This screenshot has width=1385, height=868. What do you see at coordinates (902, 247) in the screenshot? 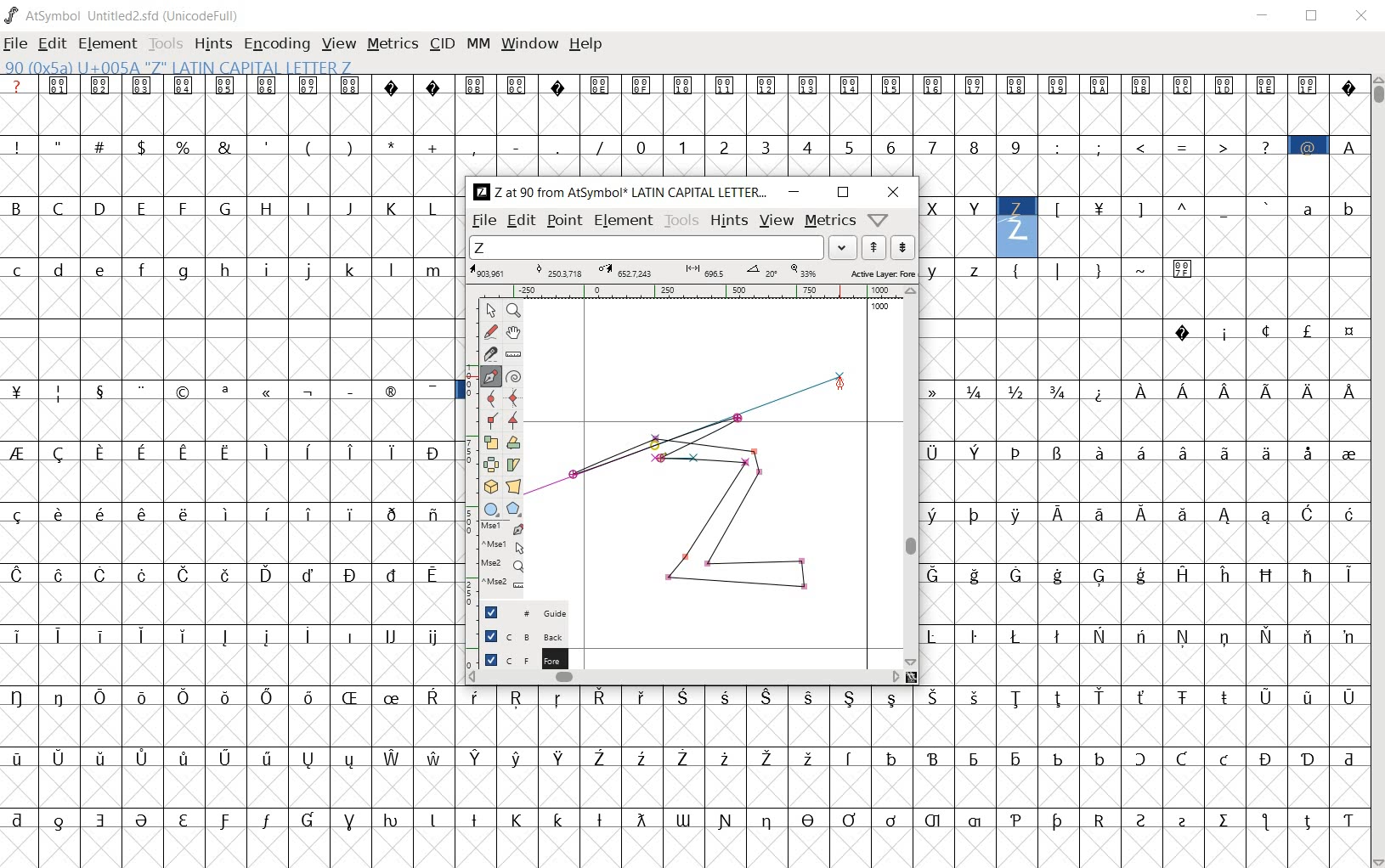
I see `show the previous word on the list` at bounding box center [902, 247].